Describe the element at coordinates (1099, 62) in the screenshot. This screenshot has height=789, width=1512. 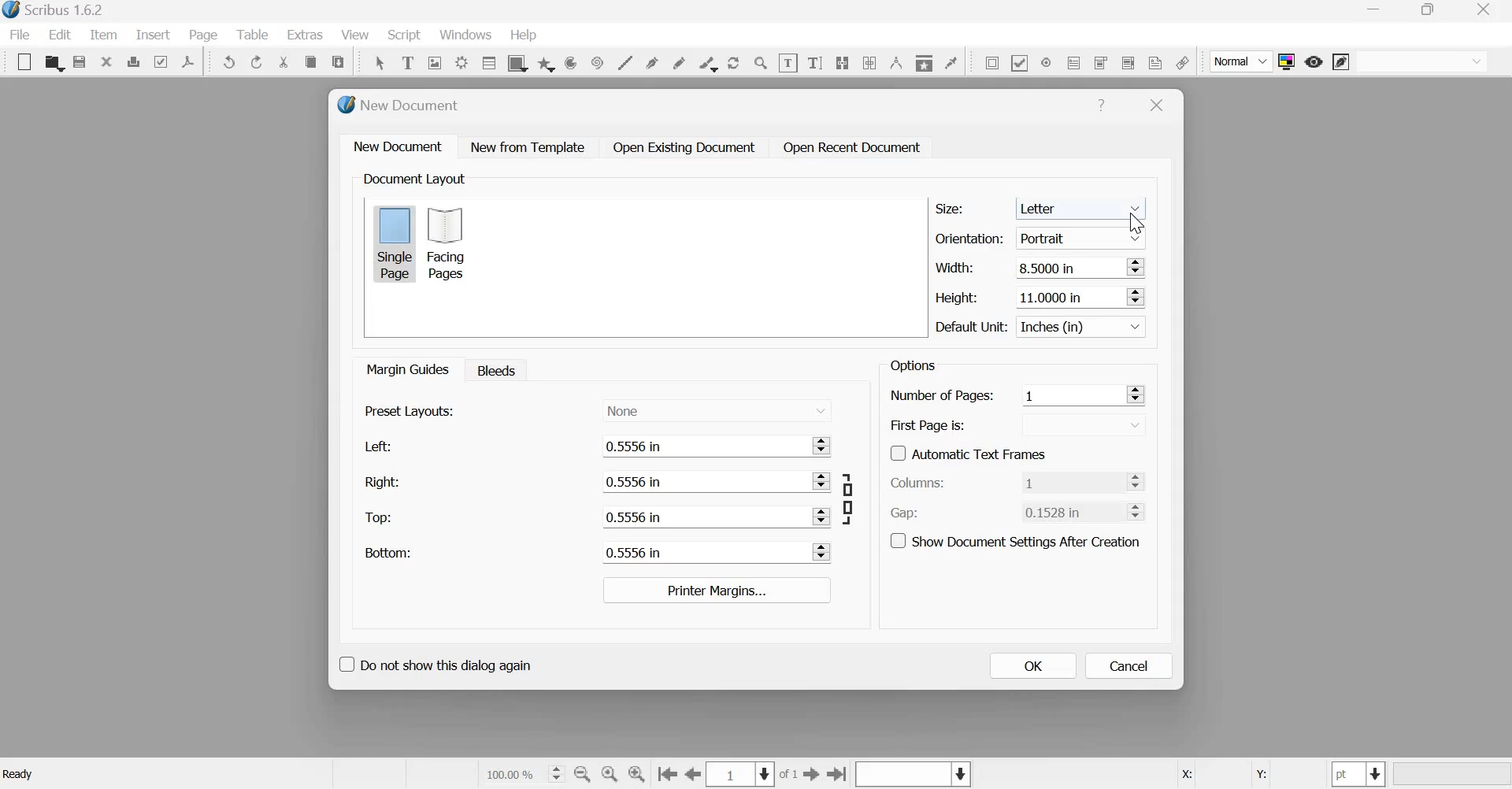
I see `PDF combo box` at that location.